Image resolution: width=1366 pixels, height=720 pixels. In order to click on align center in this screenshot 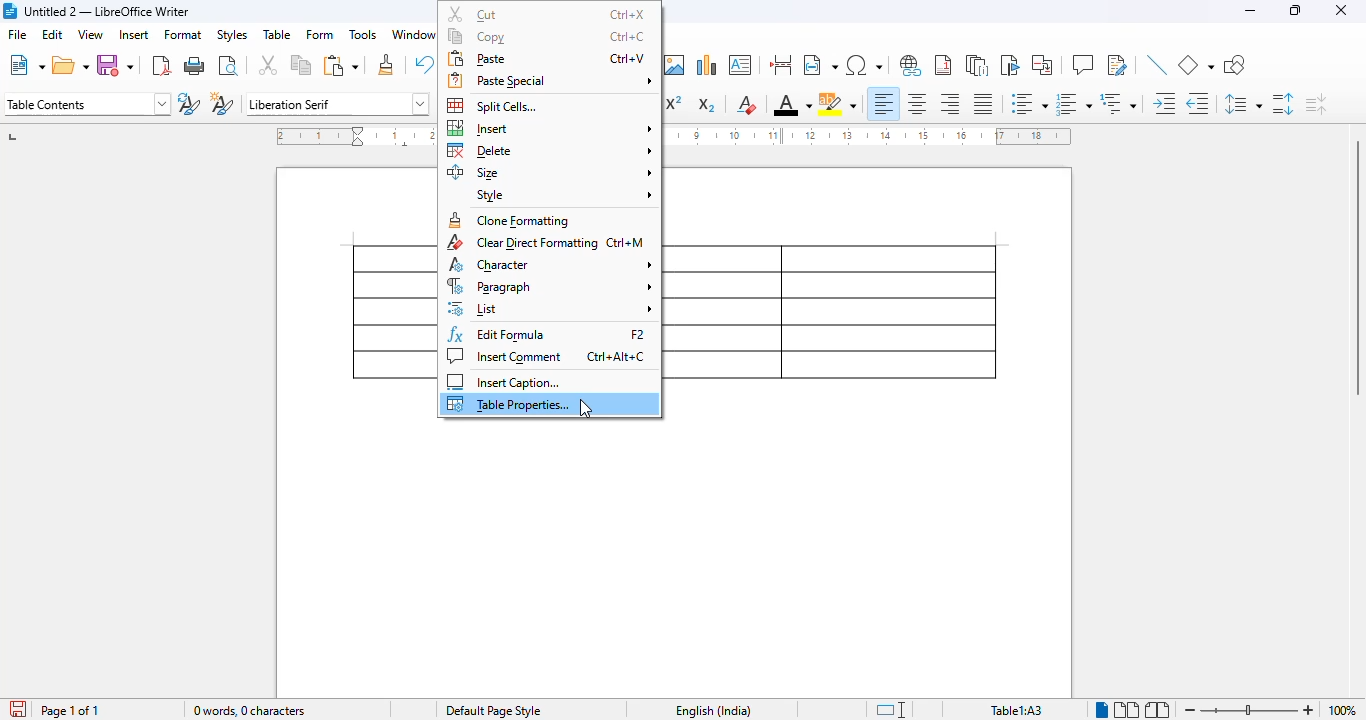, I will do `click(916, 103)`.